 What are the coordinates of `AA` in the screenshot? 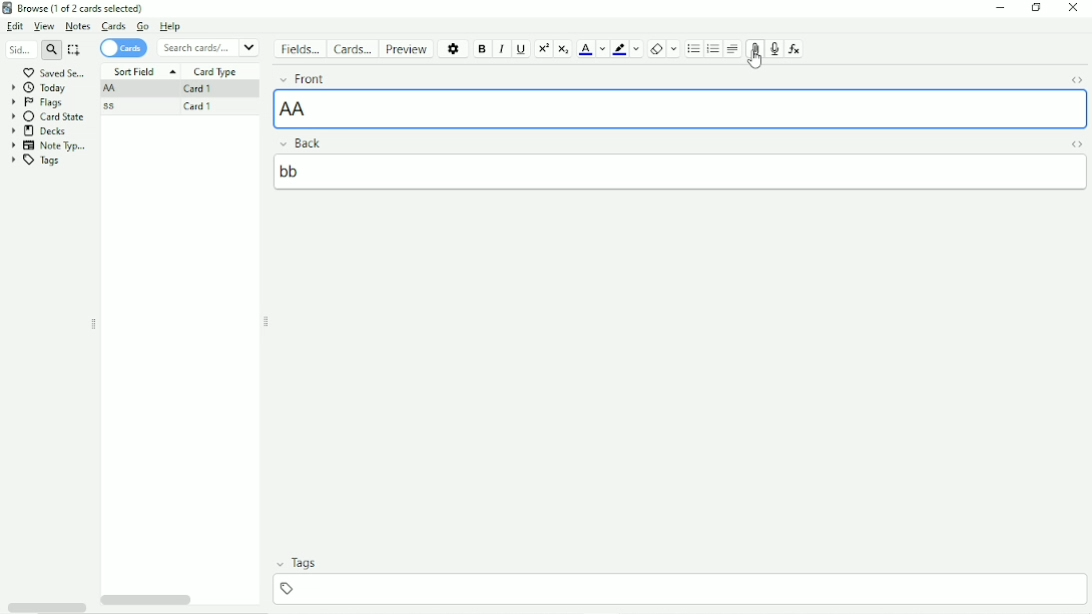 It's located at (111, 90).